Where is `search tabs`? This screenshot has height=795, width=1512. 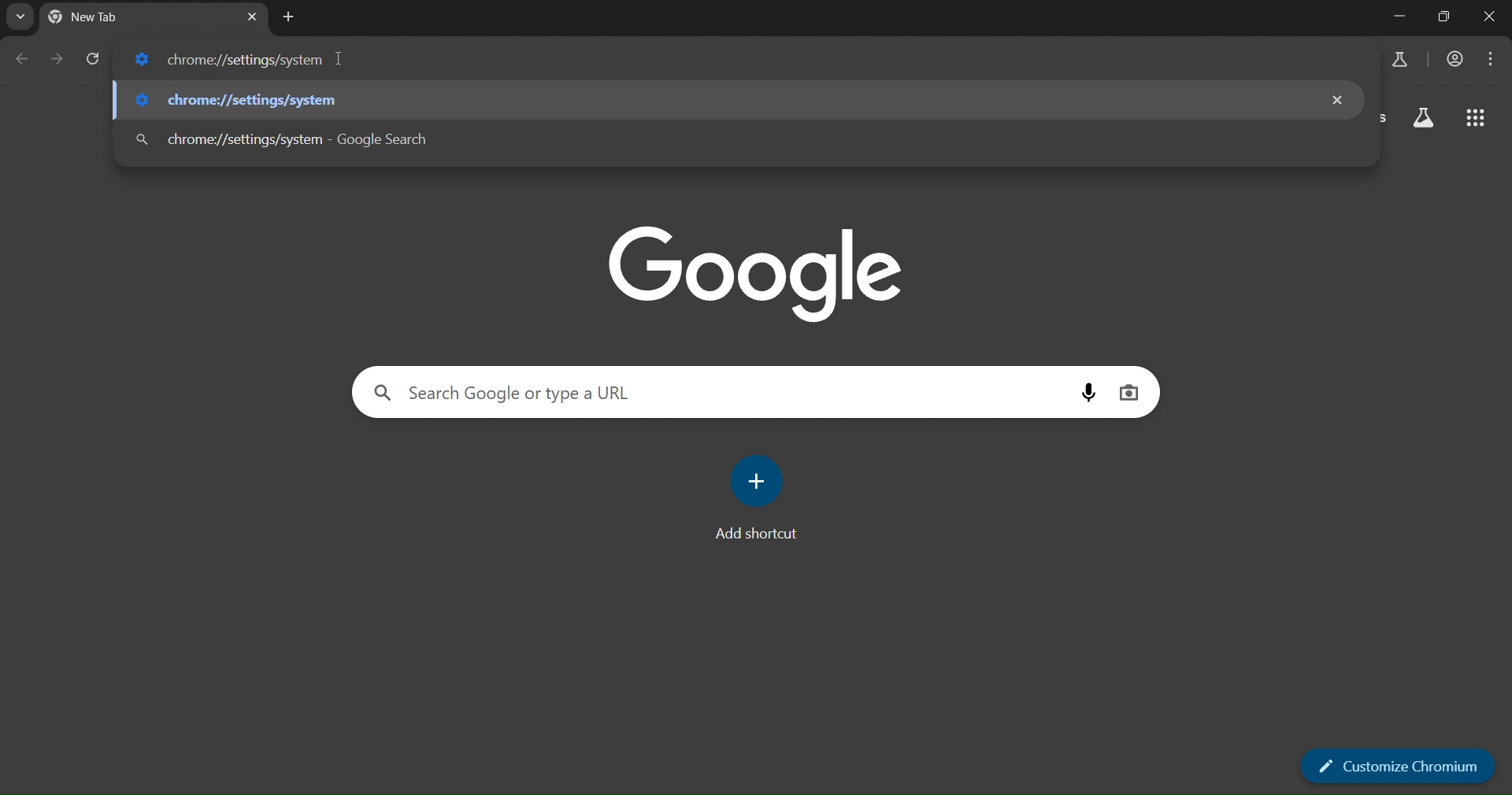 search tabs is located at coordinates (20, 19).